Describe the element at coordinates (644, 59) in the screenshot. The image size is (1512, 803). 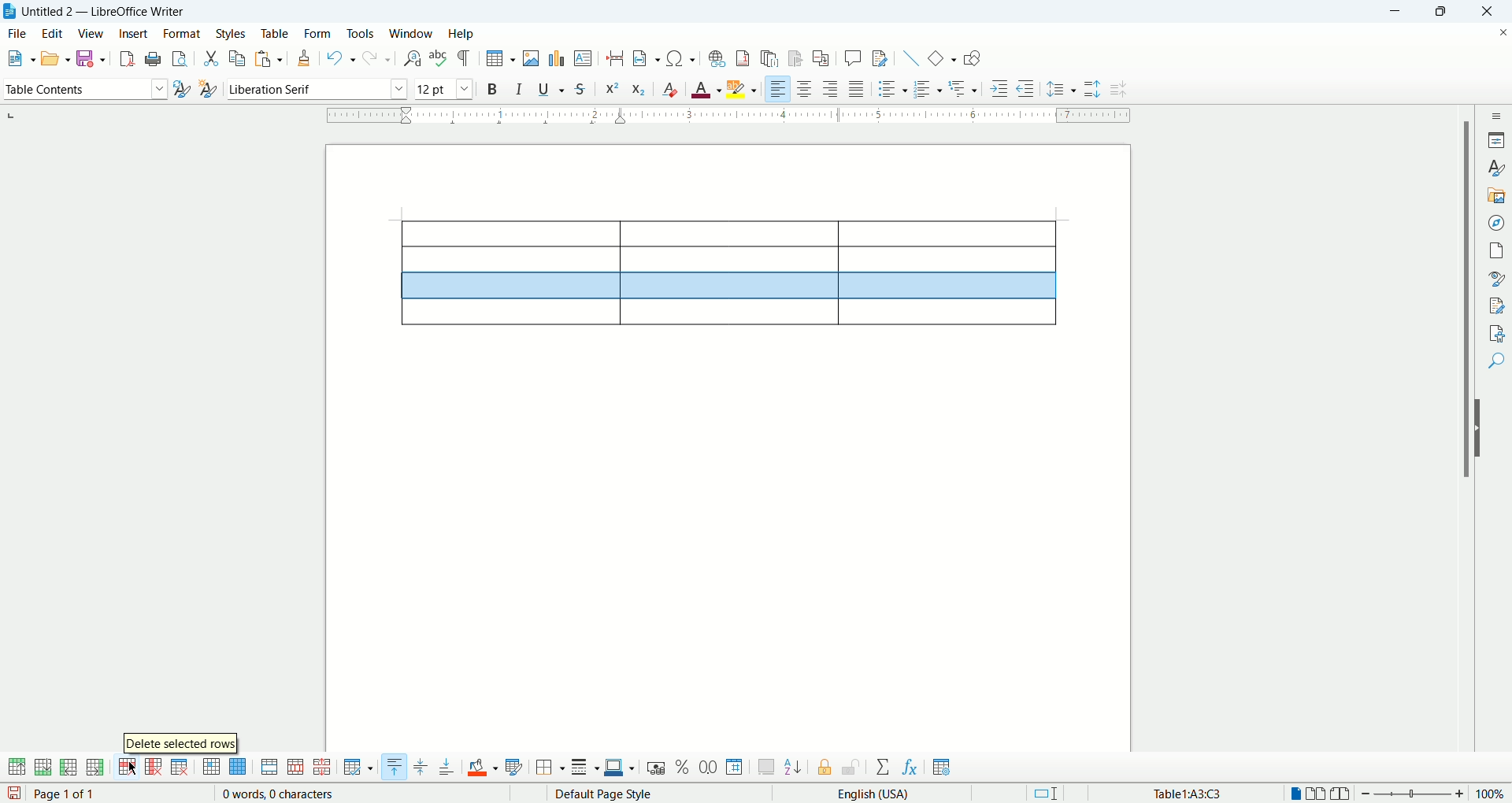
I see `insert field` at that location.